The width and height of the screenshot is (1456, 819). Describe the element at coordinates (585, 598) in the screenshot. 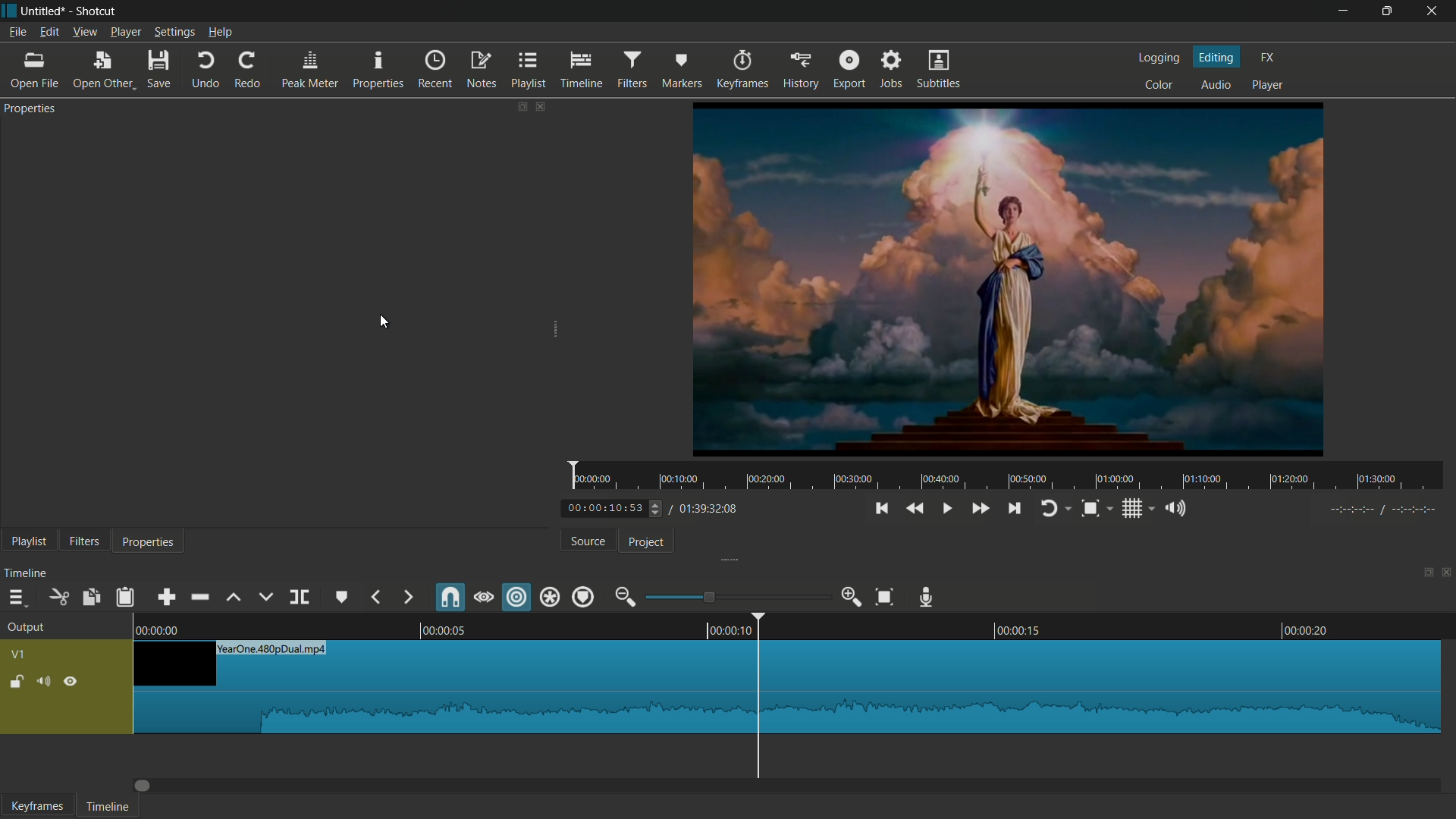

I see `ripple markers` at that location.